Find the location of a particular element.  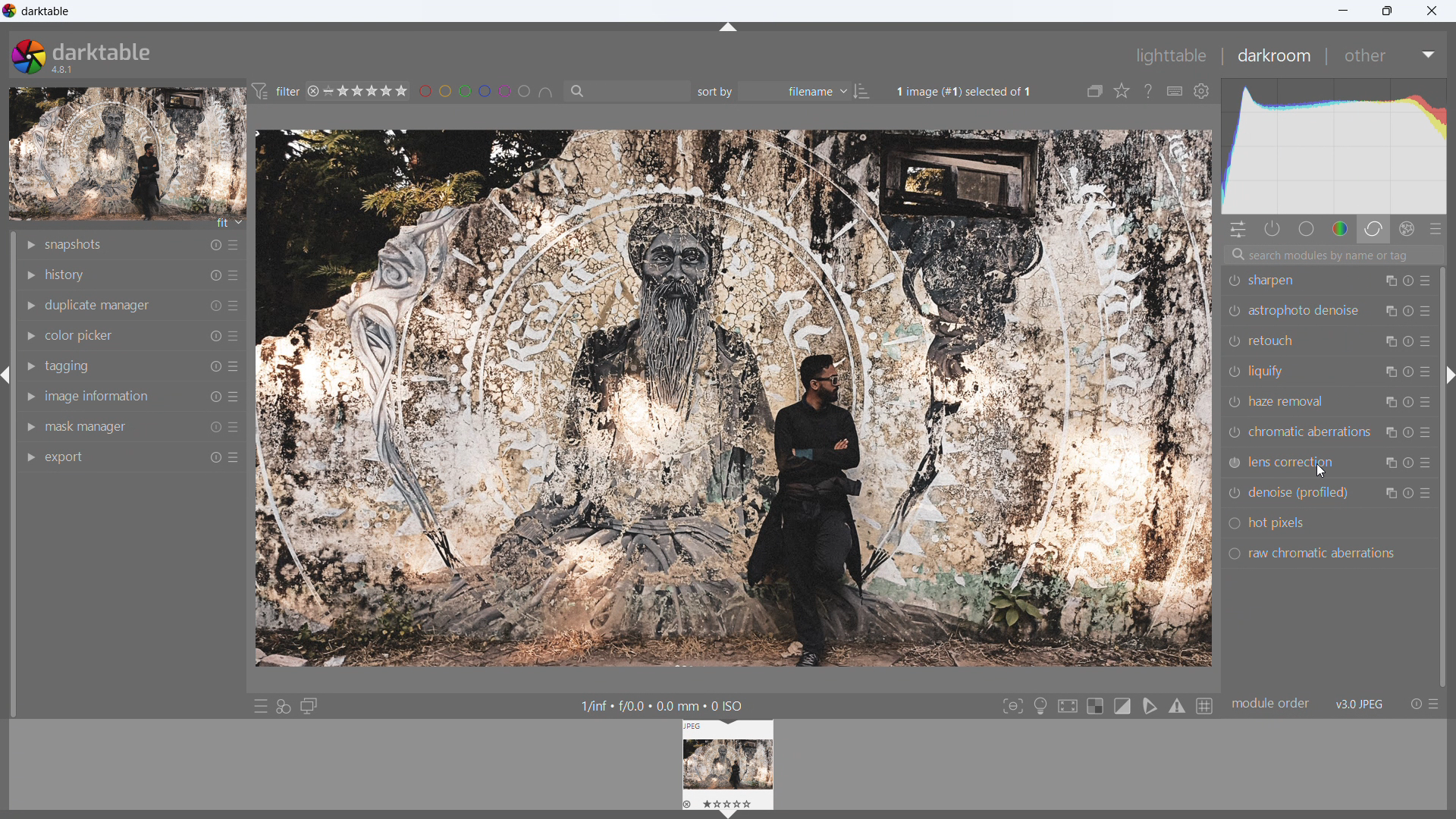

presets is located at coordinates (1429, 340).